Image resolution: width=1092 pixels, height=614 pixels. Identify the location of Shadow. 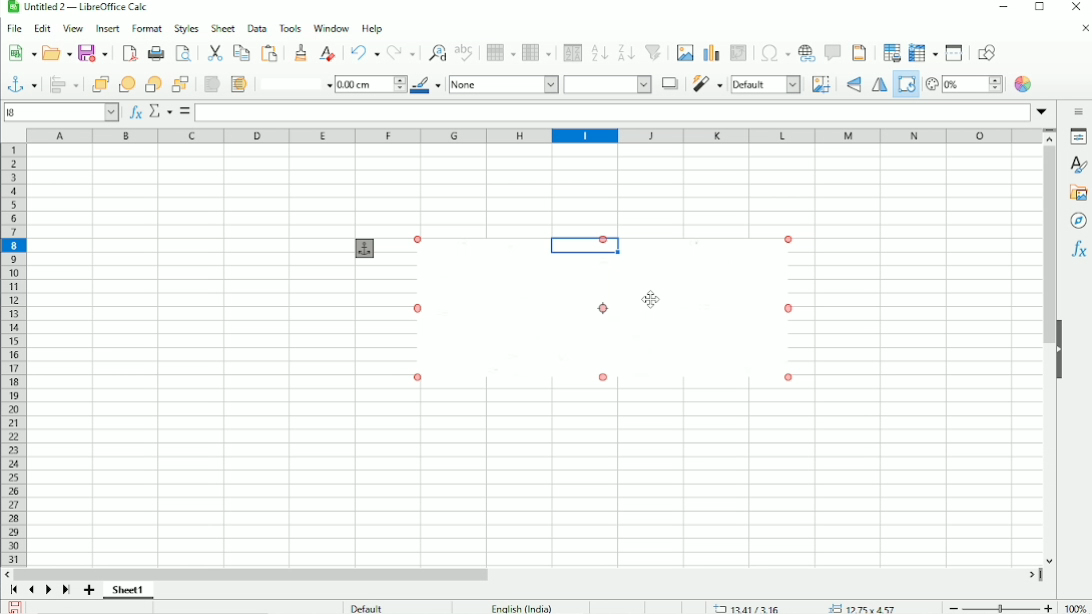
(670, 84).